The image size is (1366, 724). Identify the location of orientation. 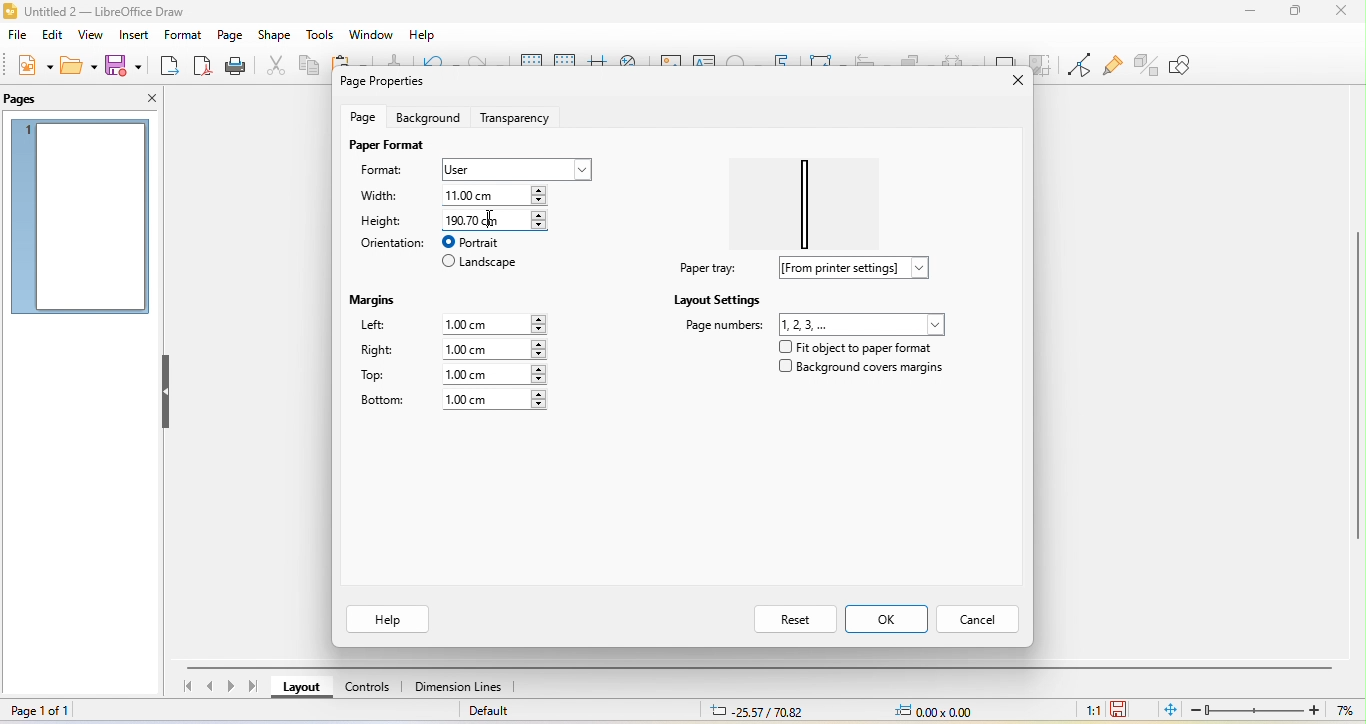
(390, 243).